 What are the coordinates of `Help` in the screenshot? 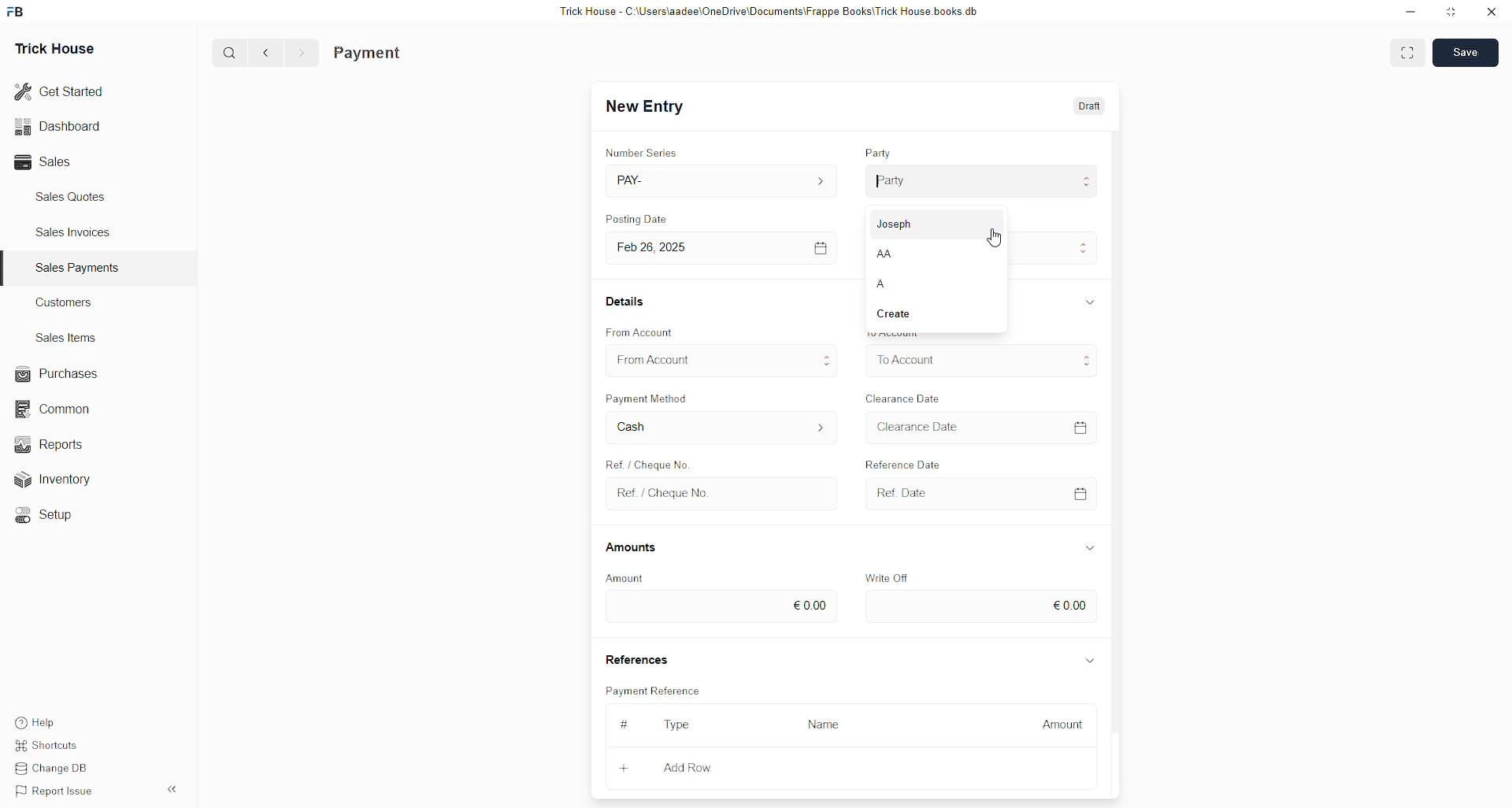 It's located at (38, 718).